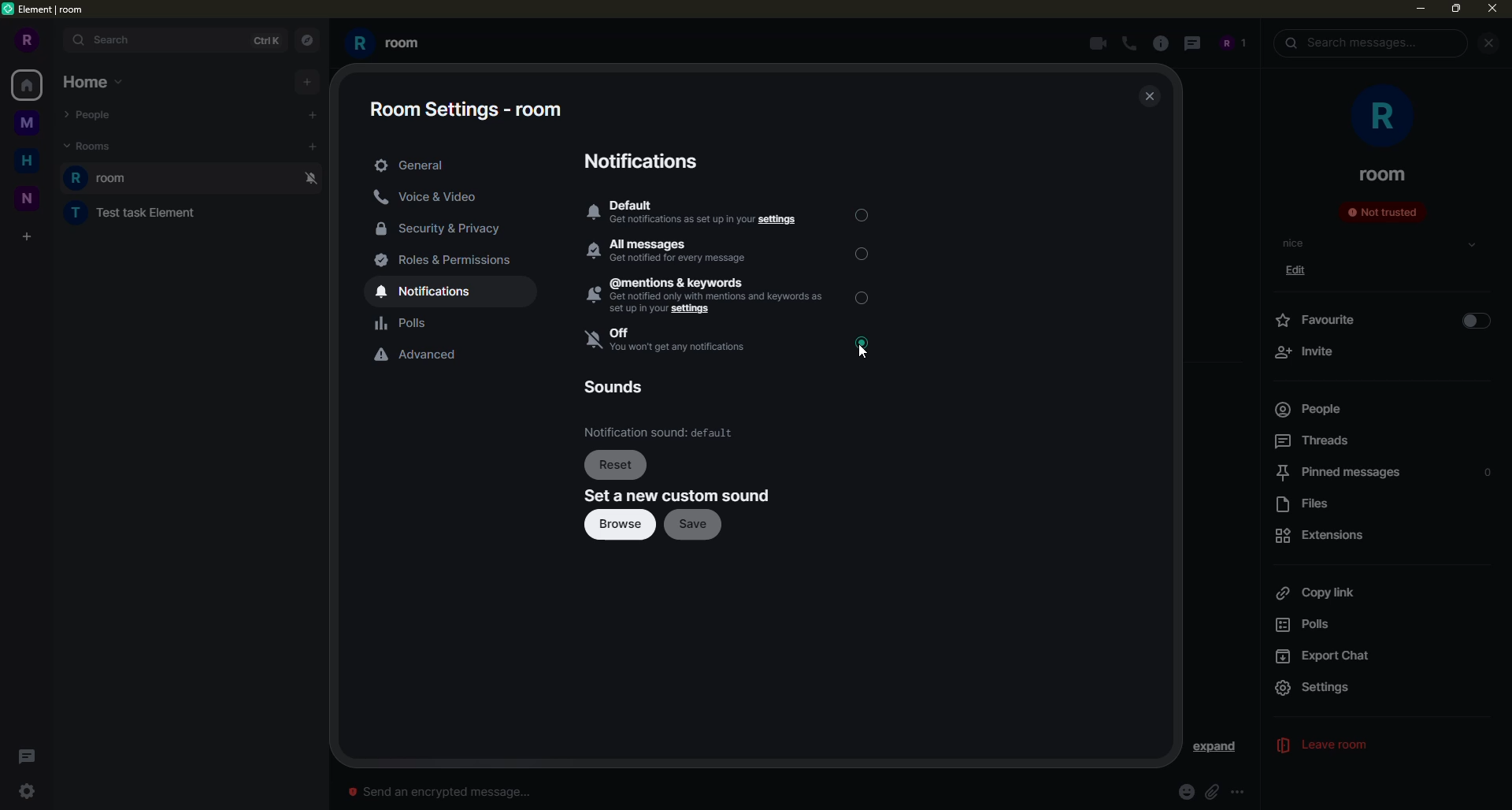 This screenshot has height=810, width=1512. What do you see at coordinates (1491, 10) in the screenshot?
I see `close` at bounding box center [1491, 10].